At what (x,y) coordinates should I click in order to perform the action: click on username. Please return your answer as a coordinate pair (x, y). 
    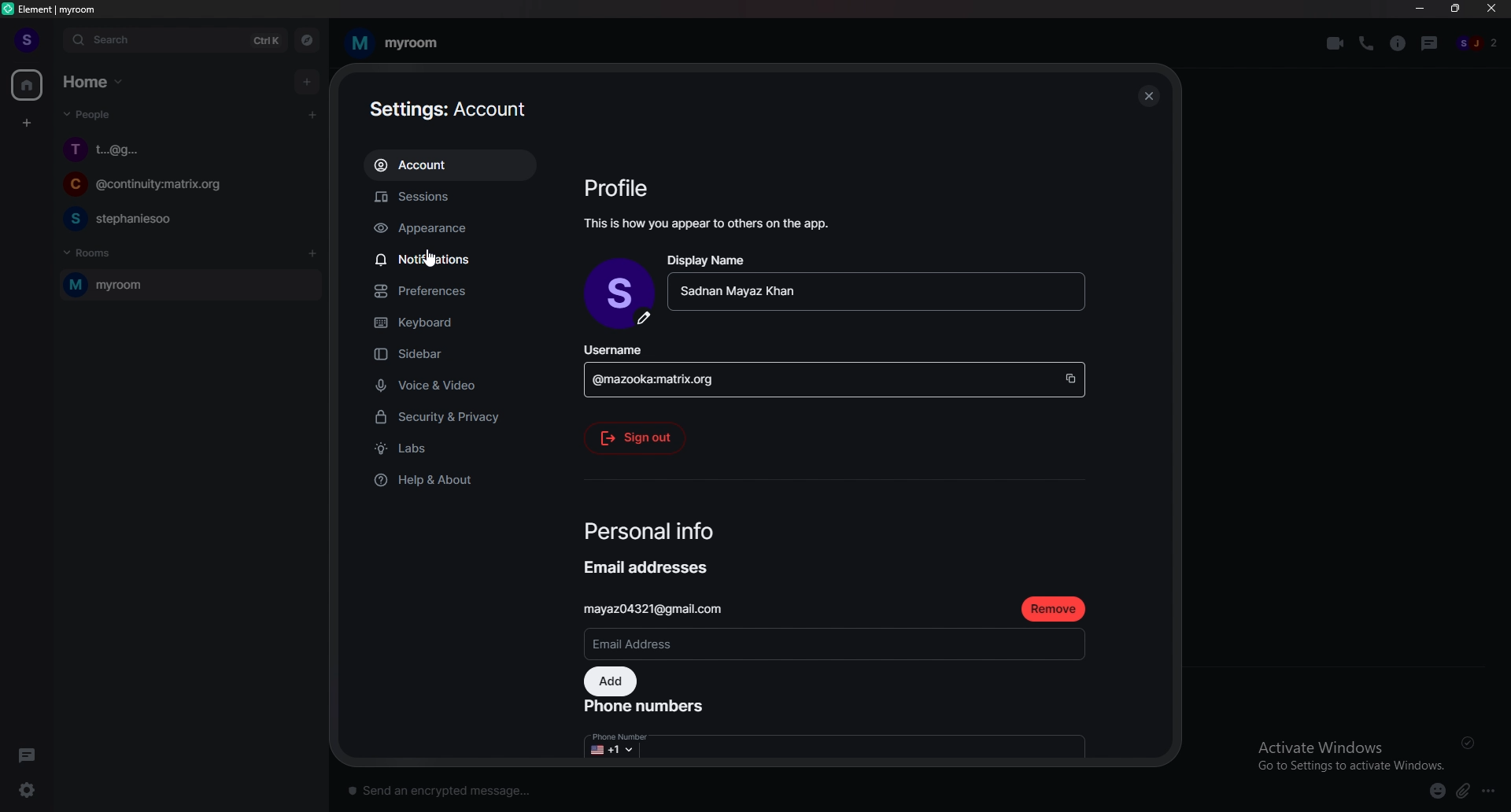
    Looking at the image, I should click on (835, 370).